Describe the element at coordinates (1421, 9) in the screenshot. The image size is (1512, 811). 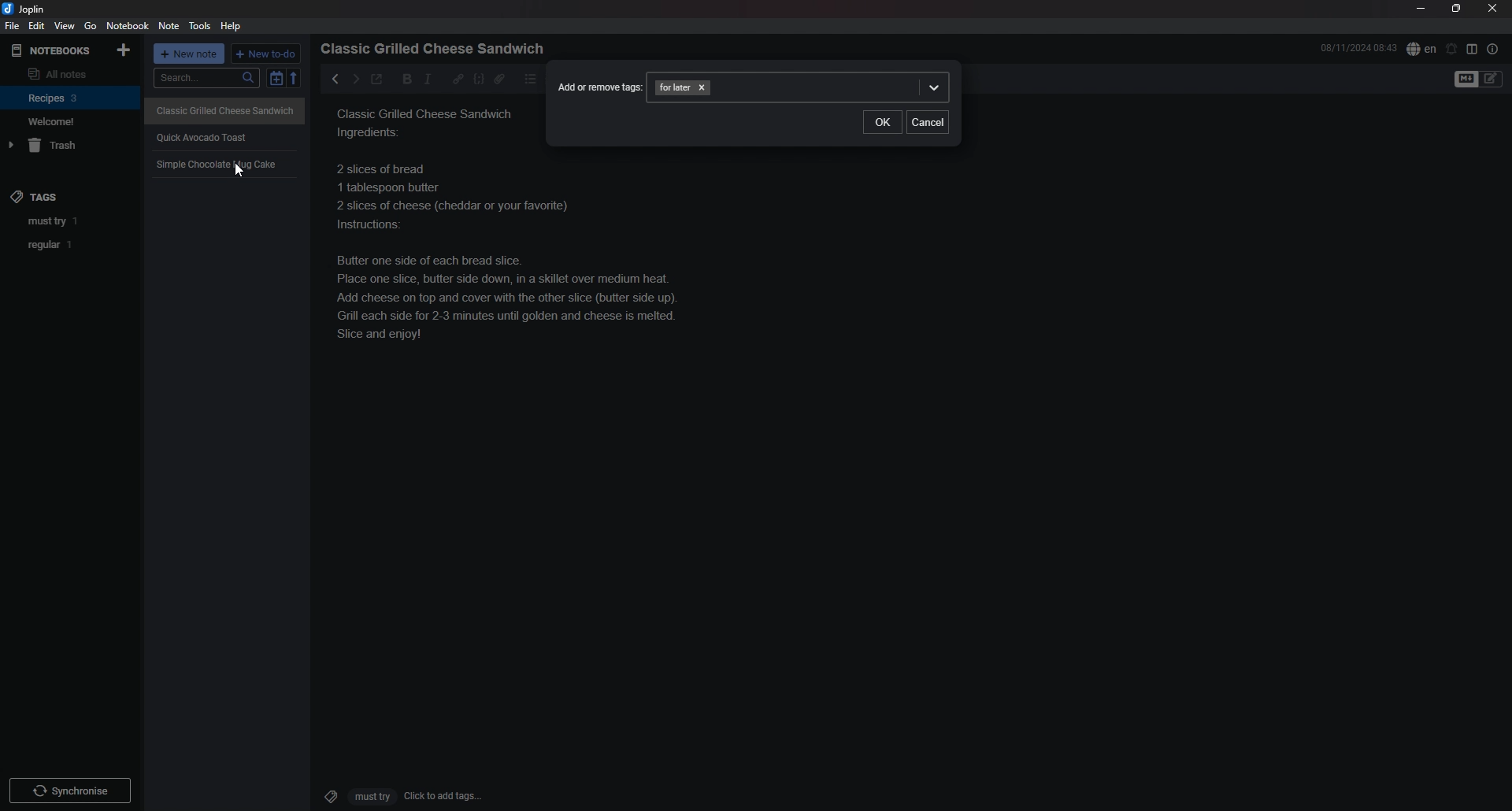
I see `minimize` at that location.